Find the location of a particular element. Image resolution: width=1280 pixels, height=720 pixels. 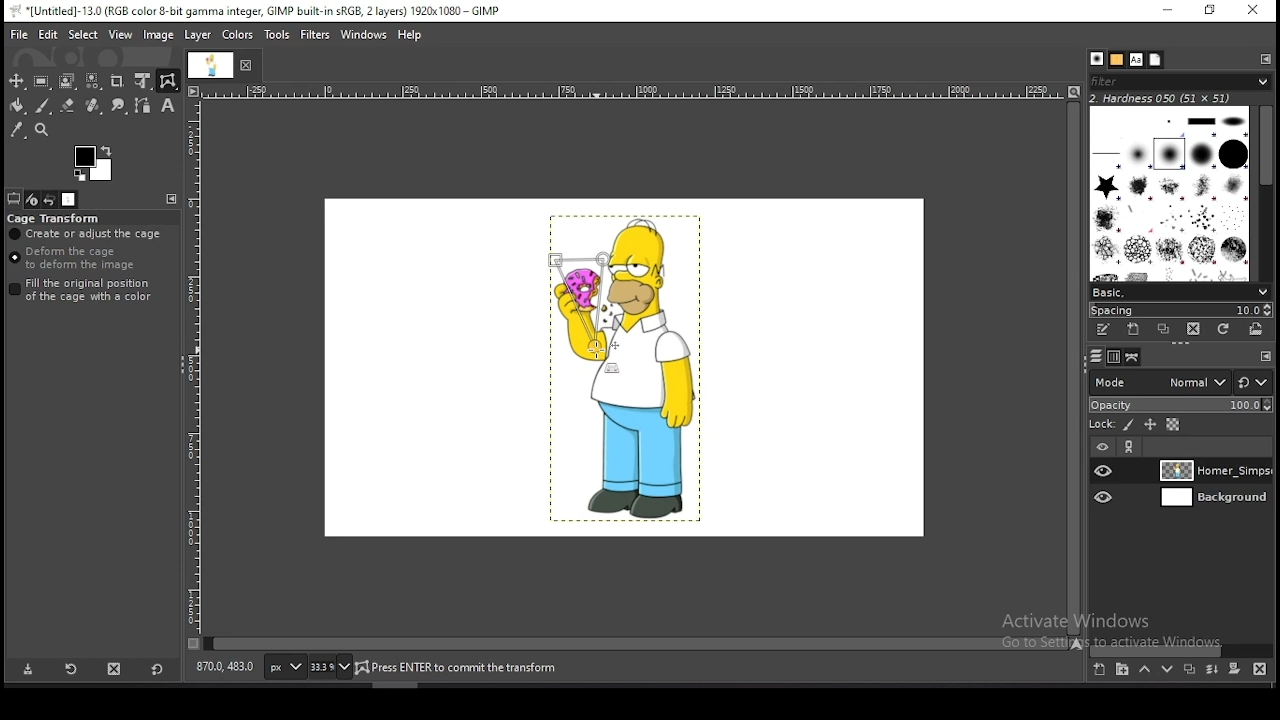

hardness 050 is located at coordinates (1162, 98).